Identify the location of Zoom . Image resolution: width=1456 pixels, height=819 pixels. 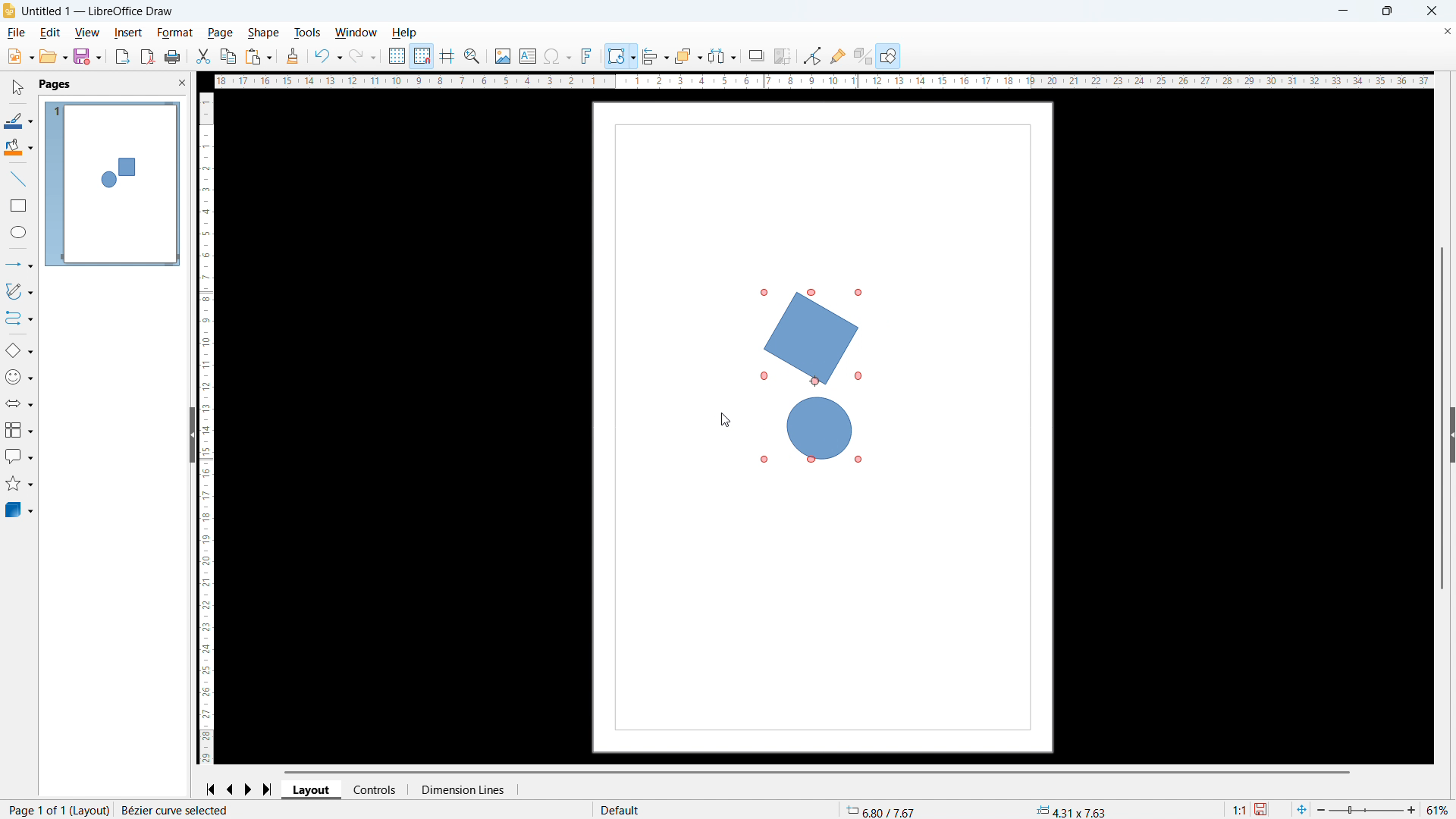
(472, 57).